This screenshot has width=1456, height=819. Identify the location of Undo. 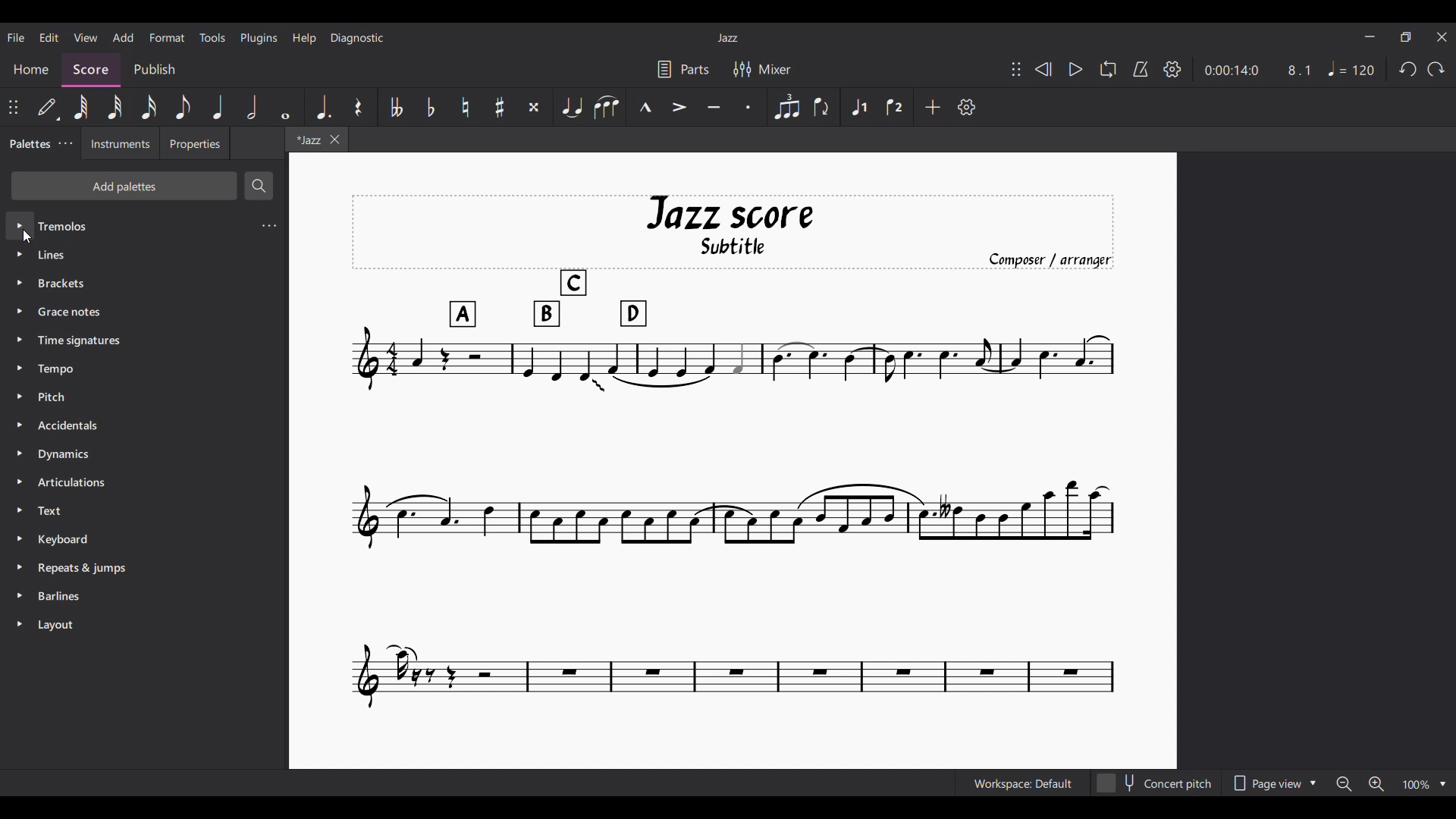
(1408, 69).